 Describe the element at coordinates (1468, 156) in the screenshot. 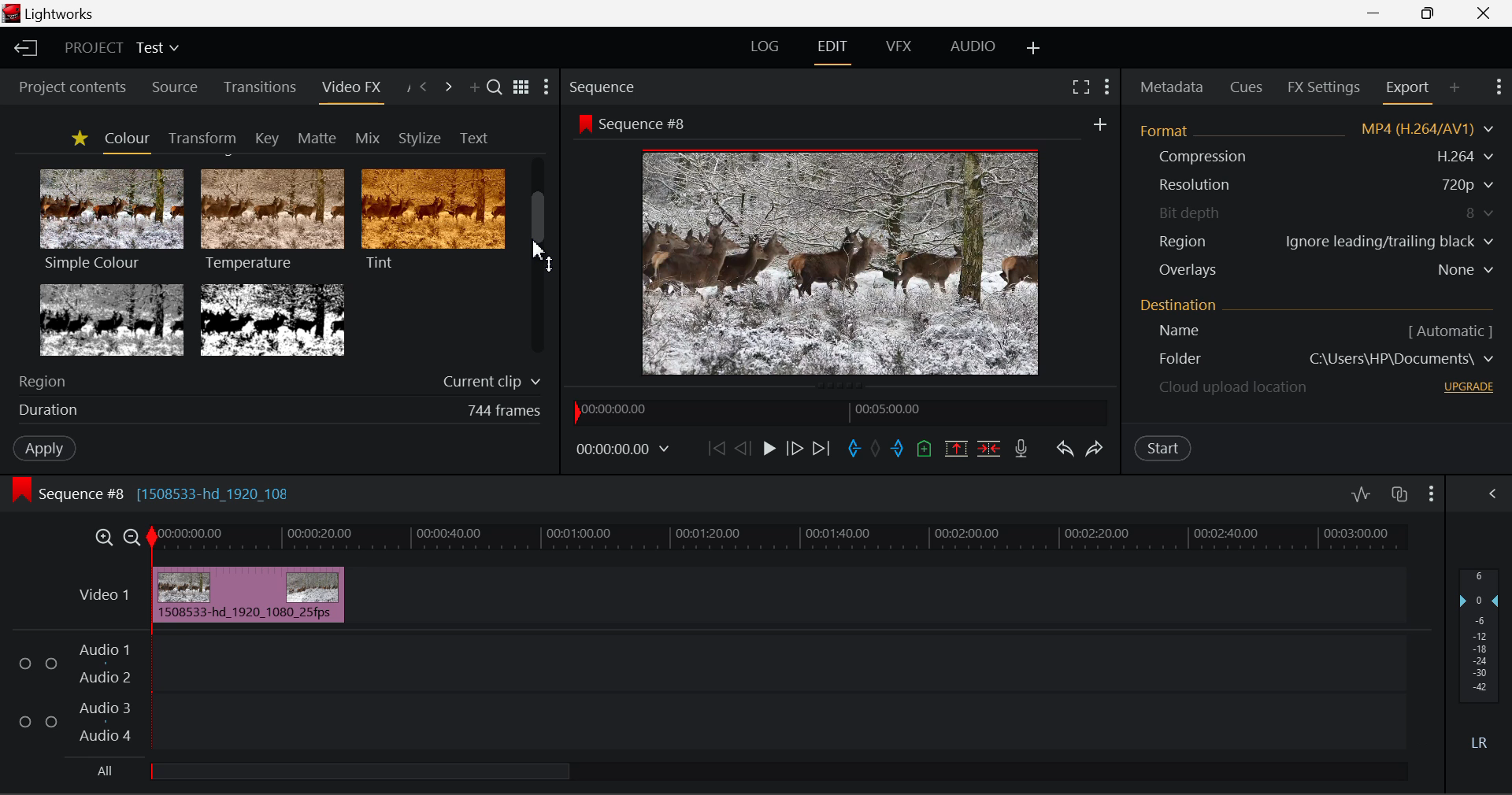

I see `H.264 ` at that location.